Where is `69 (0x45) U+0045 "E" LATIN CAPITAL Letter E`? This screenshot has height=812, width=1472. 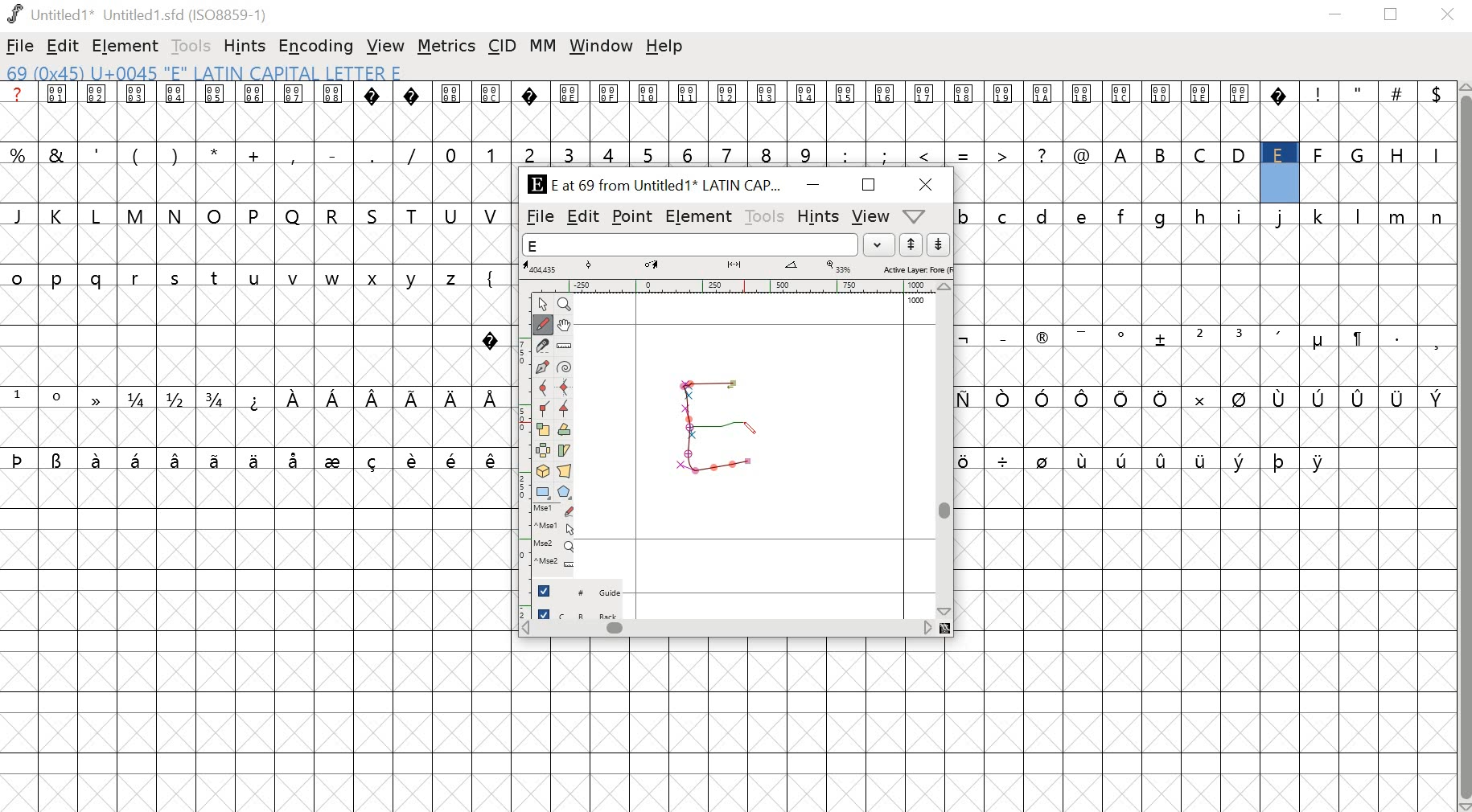 69 (0x45) U+0045 "E" LATIN CAPITAL Letter E is located at coordinates (208, 74).